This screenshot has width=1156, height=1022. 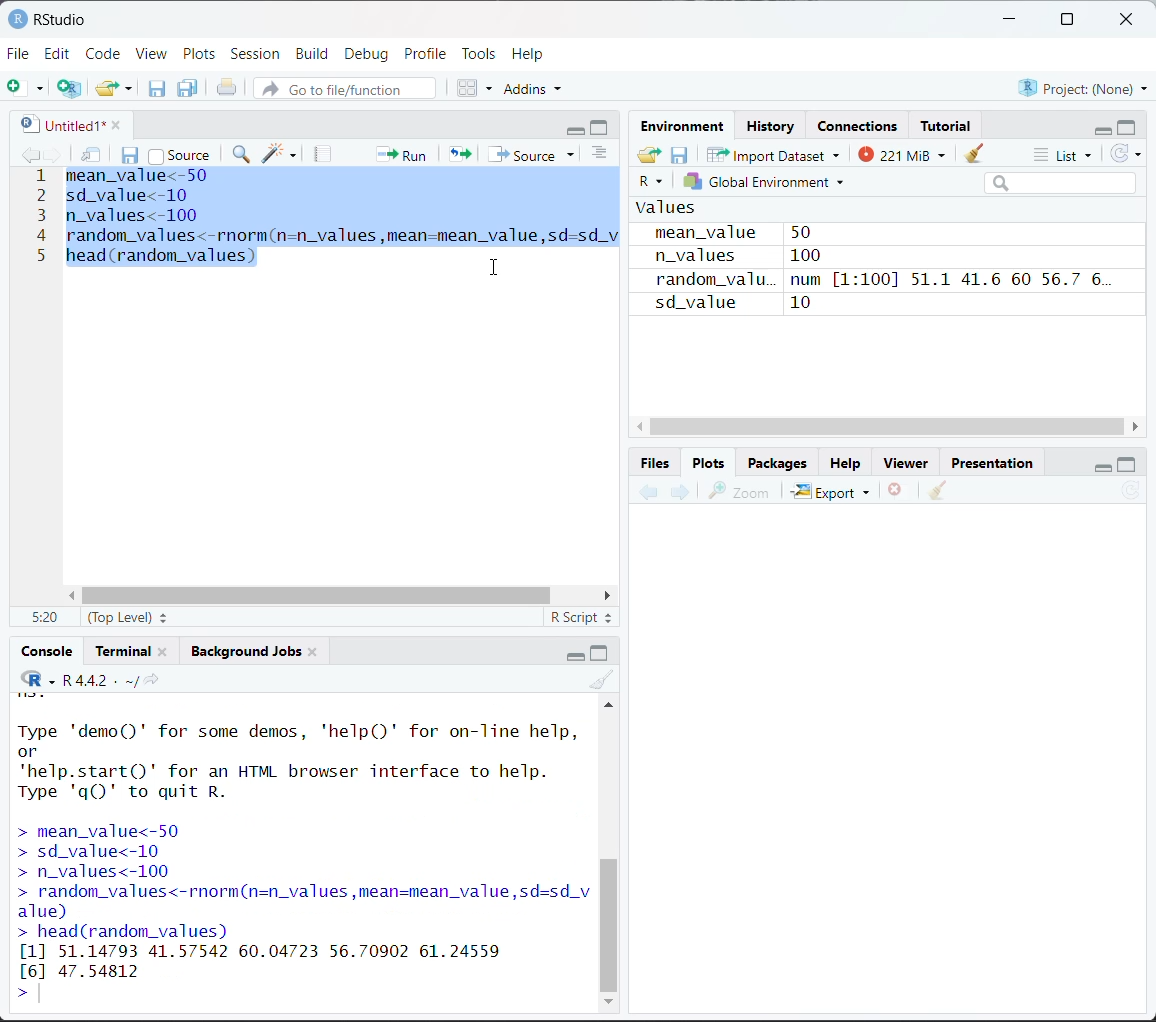 What do you see at coordinates (948, 123) in the screenshot?
I see `Tutorial` at bounding box center [948, 123].